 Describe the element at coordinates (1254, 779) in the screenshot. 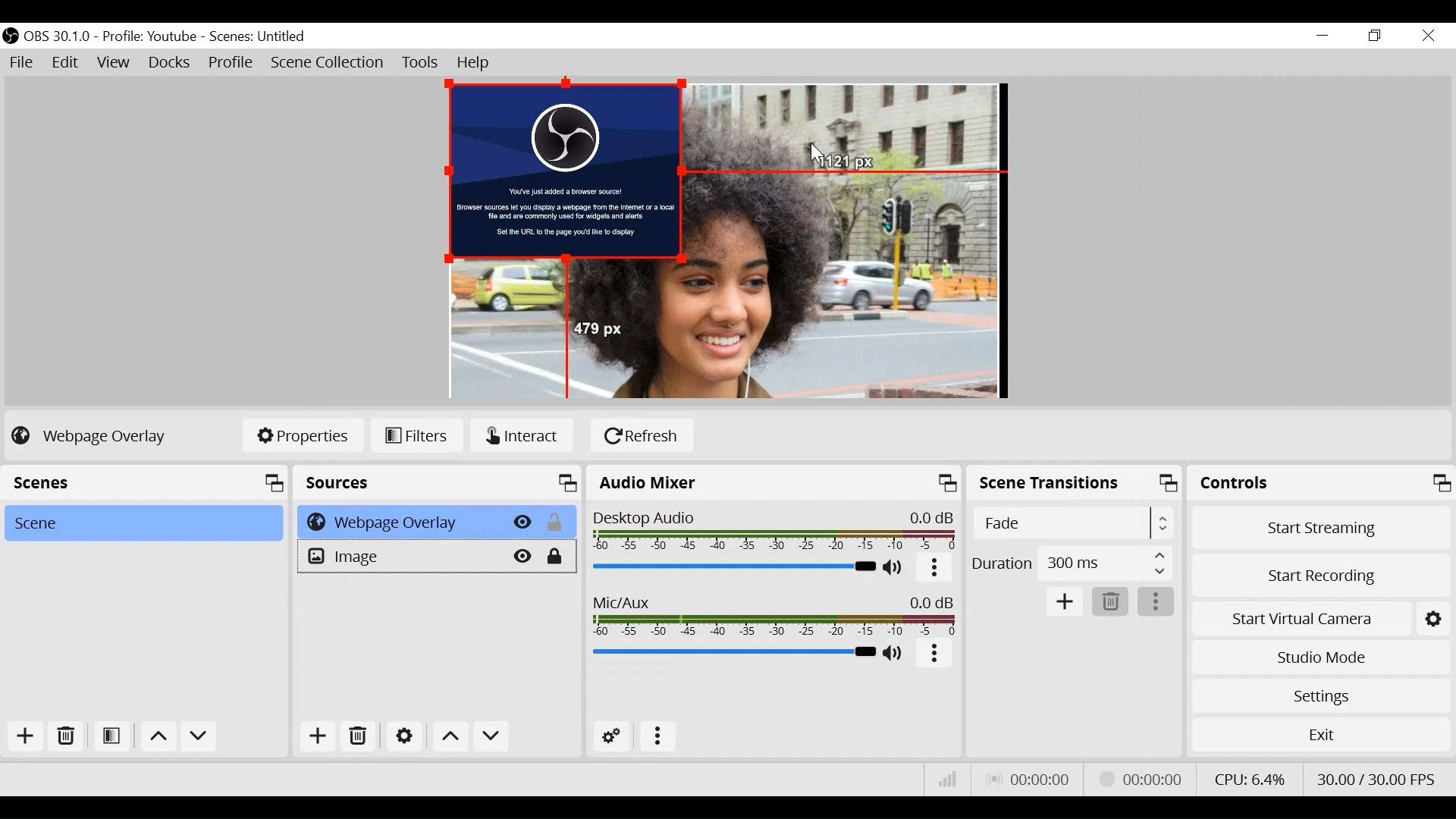

I see `CPU Usage` at that location.